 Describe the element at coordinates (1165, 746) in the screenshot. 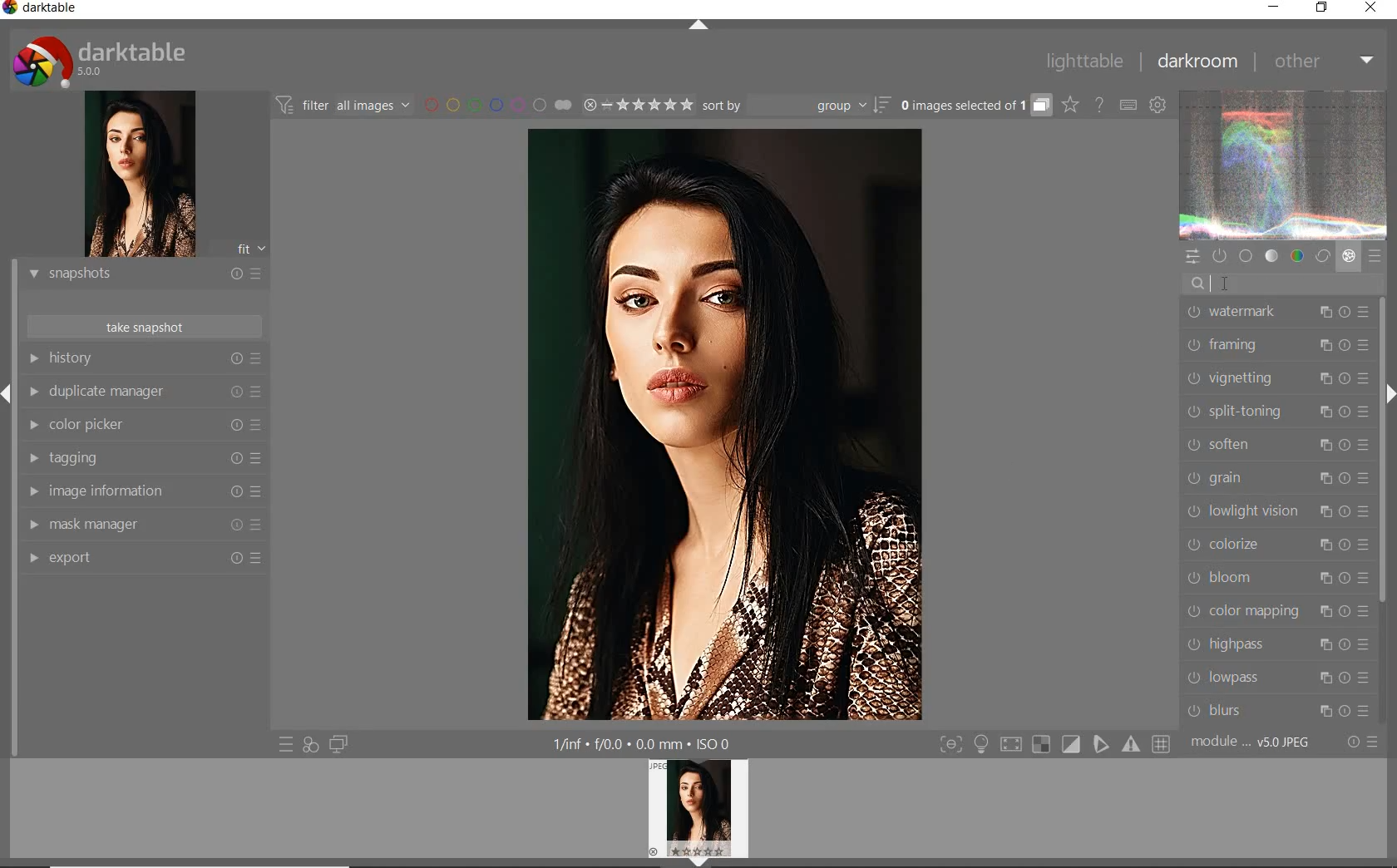

I see `sign ` at that location.